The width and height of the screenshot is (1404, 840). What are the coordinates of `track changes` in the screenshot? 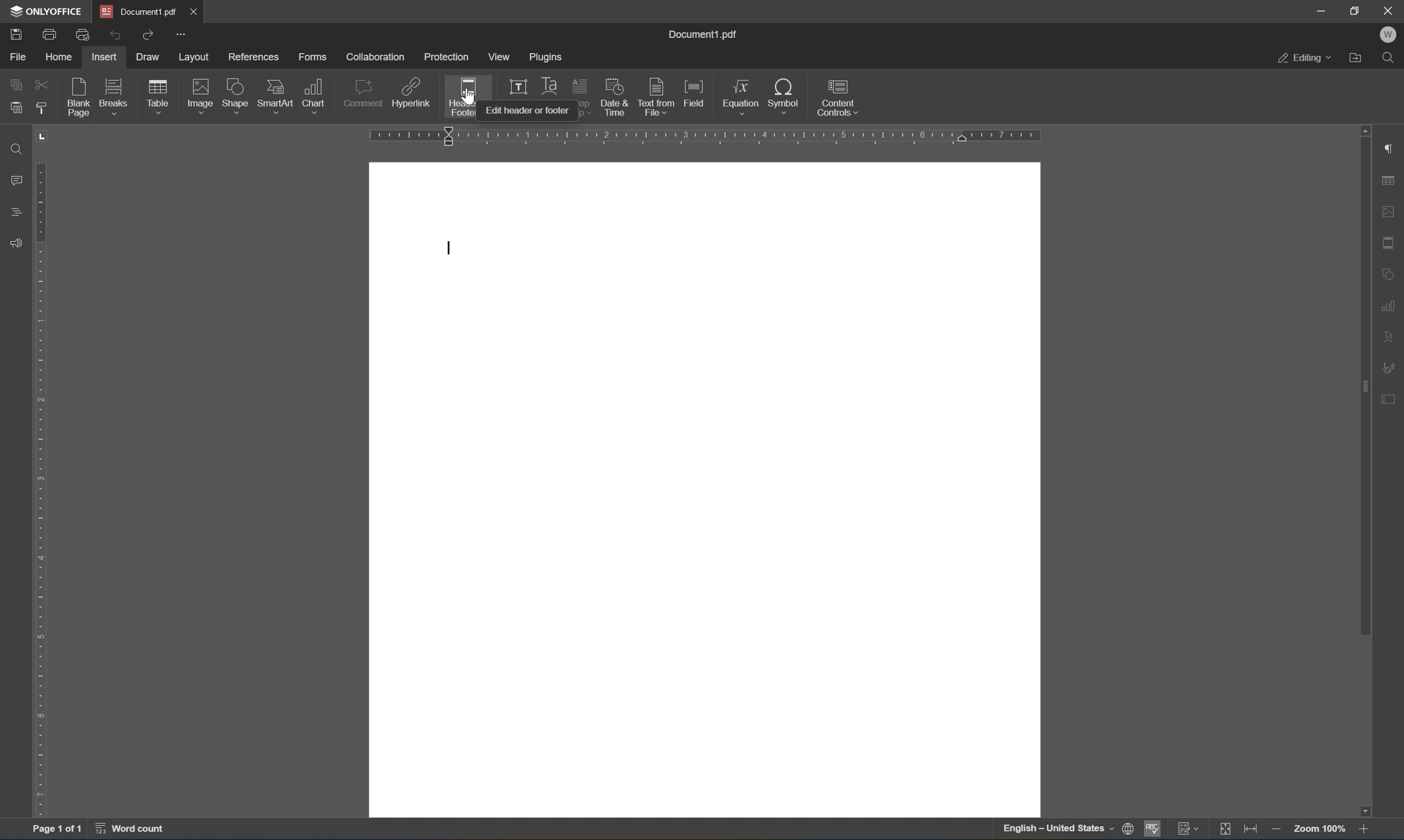 It's located at (1187, 829).